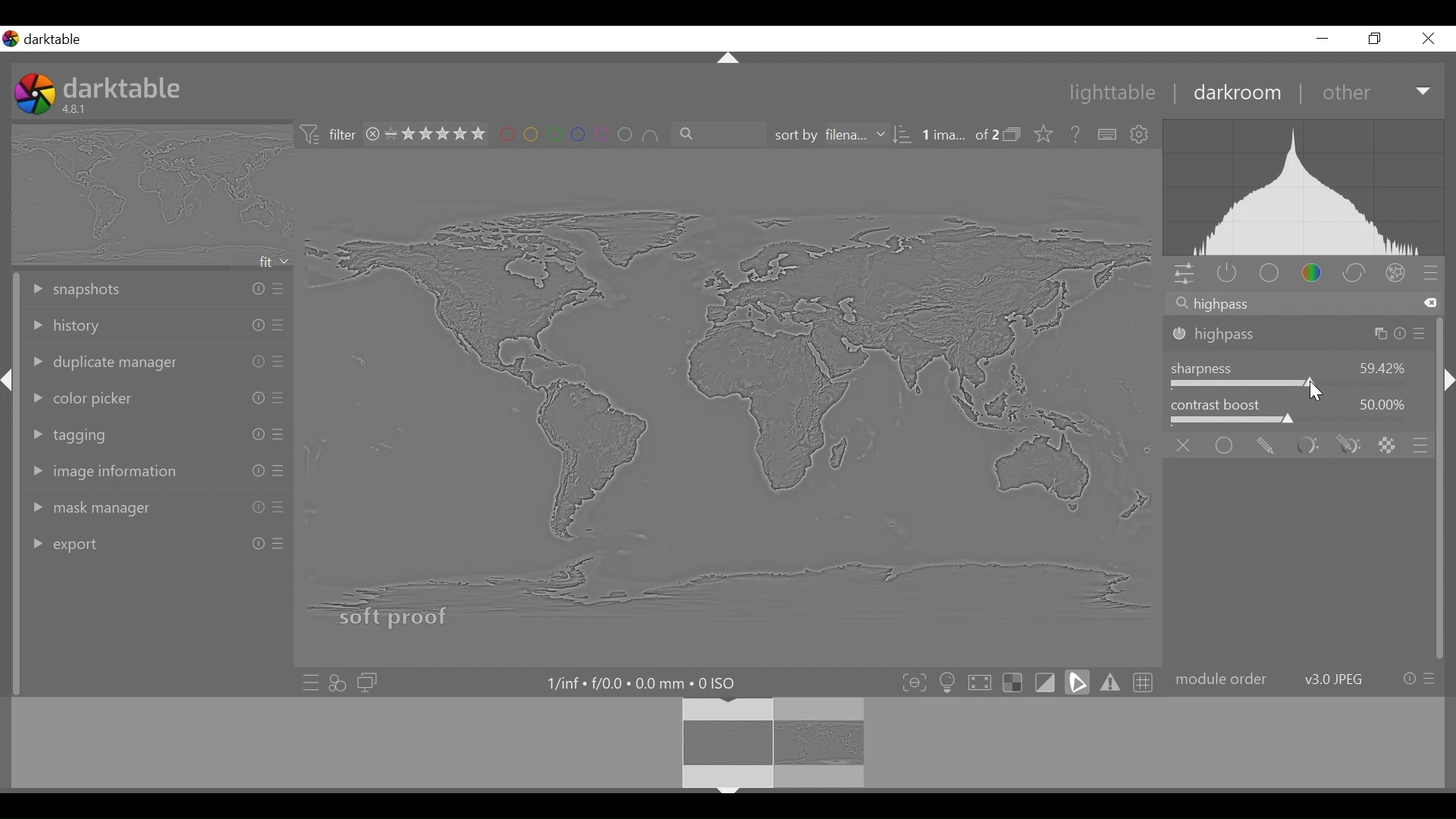 Image resolution: width=1456 pixels, height=819 pixels. Describe the element at coordinates (158, 505) in the screenshot. I see `mask manager` at that location.